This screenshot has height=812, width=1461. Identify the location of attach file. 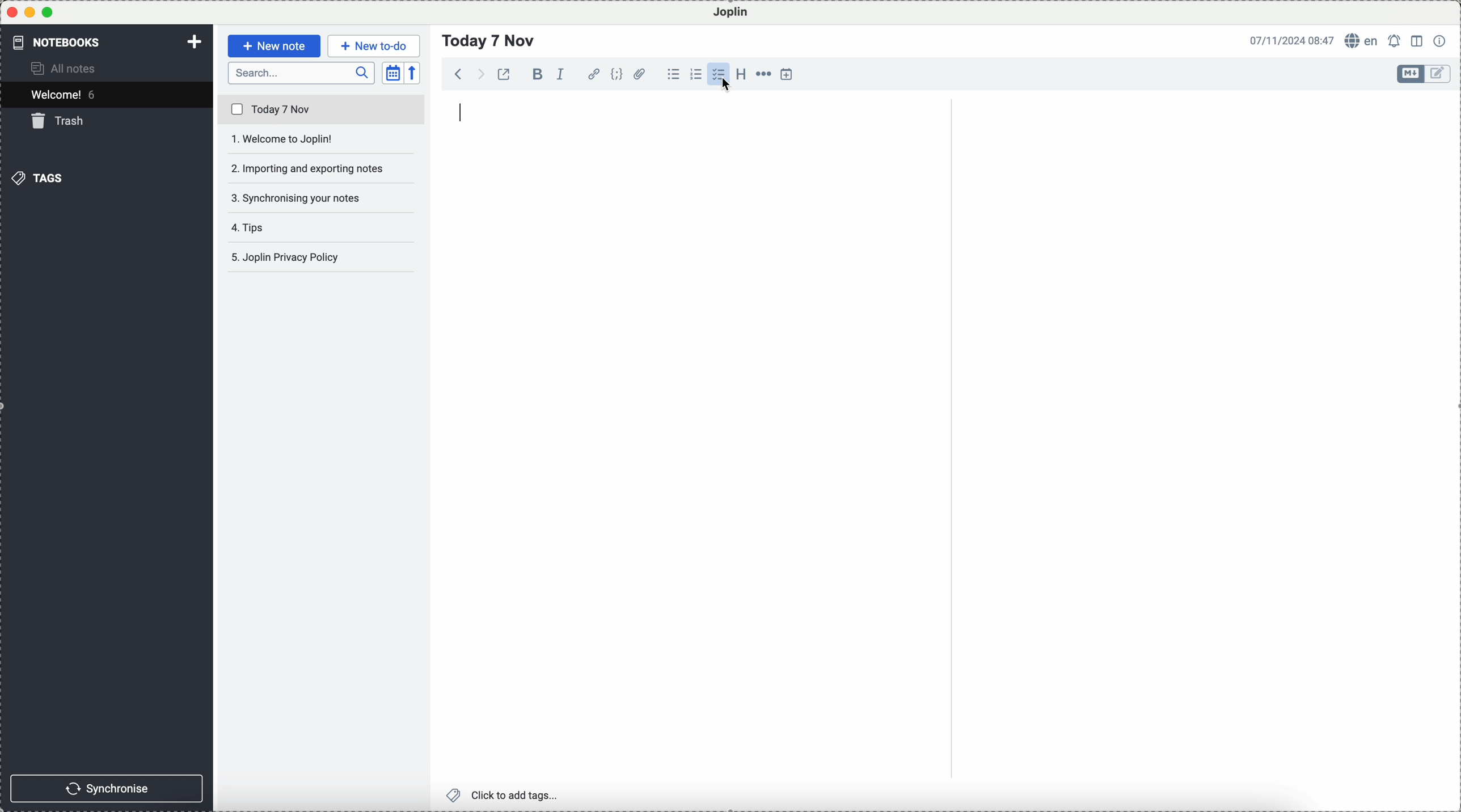
(640, 74).